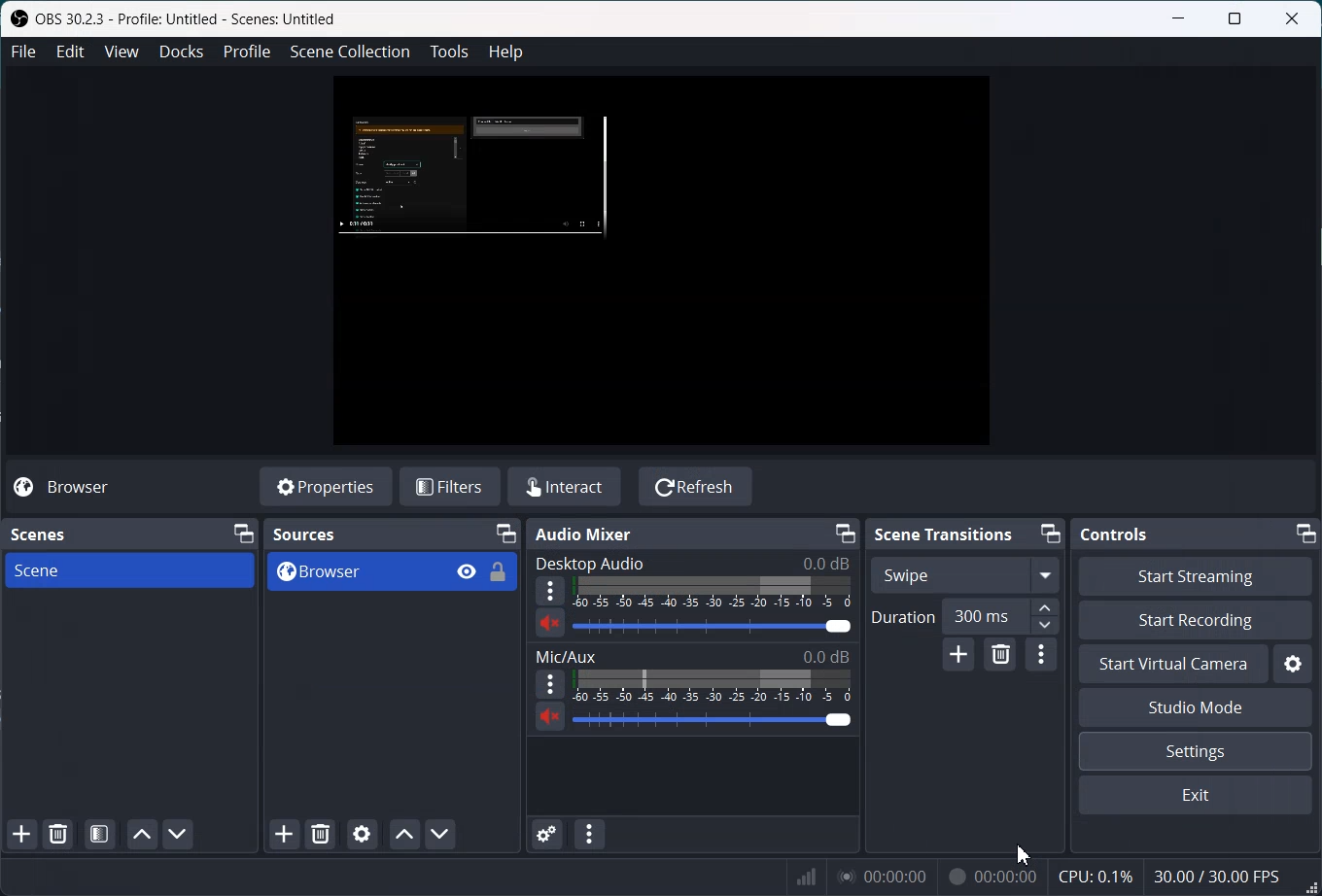 Image resolution: width=1322 pixels, height=896 pixels. What do you see at coordinates (714, 686) in the screenshot?
I see `Volume Indicator` at bounding box center [714, 686].